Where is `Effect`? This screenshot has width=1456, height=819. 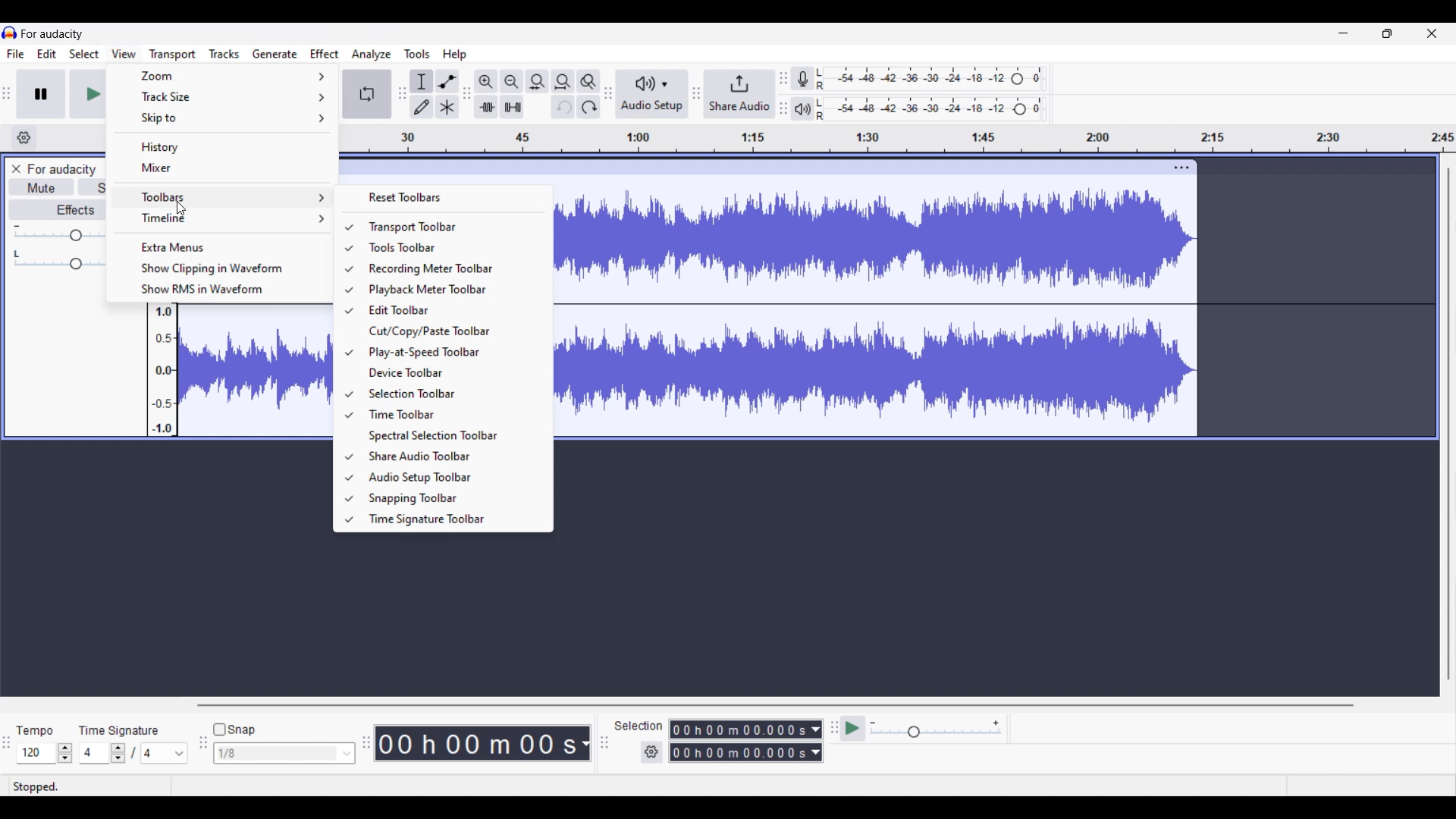
Effect is located at coordinates (325, 55).